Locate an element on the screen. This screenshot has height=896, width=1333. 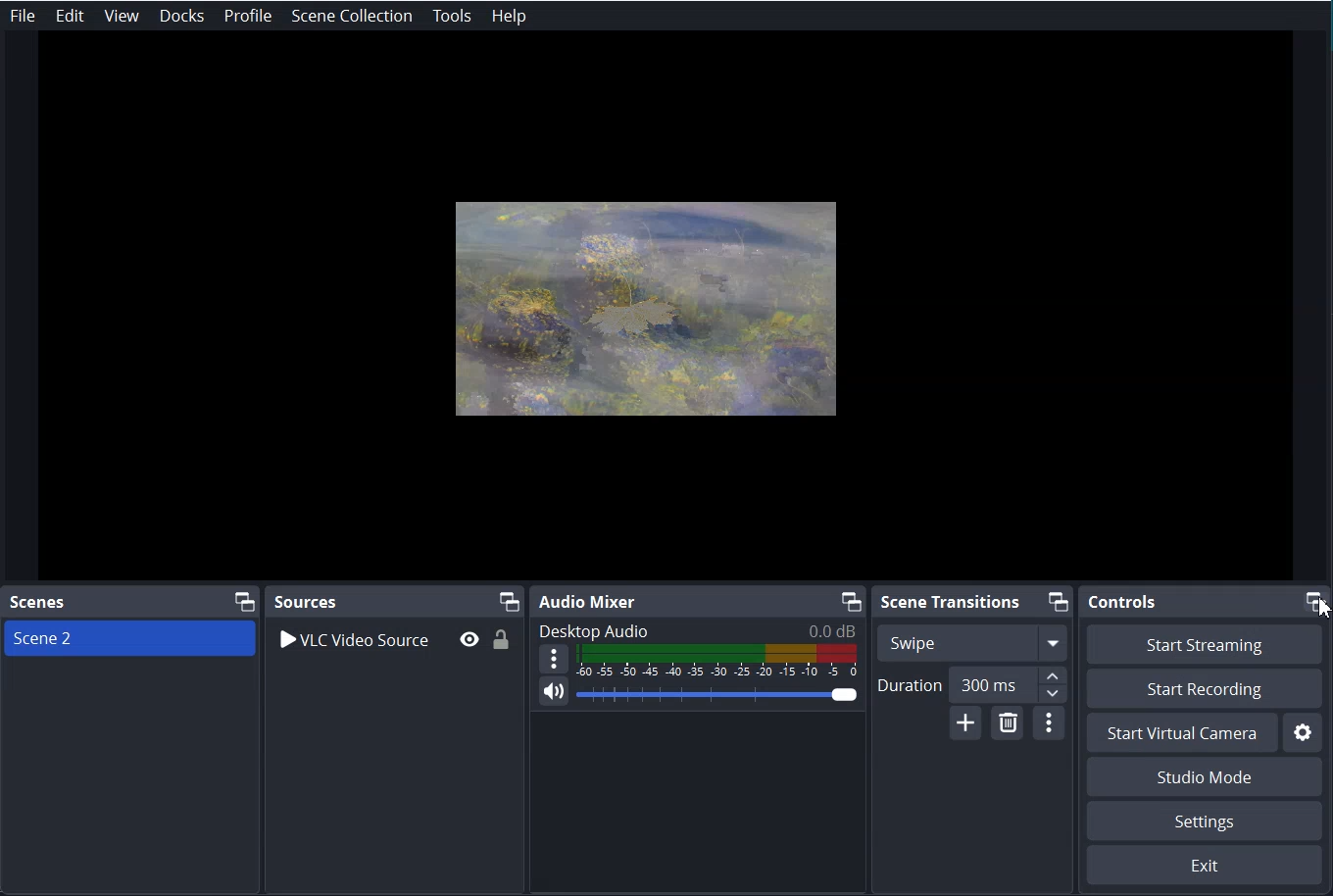
File is located at coordinates (23, 16).